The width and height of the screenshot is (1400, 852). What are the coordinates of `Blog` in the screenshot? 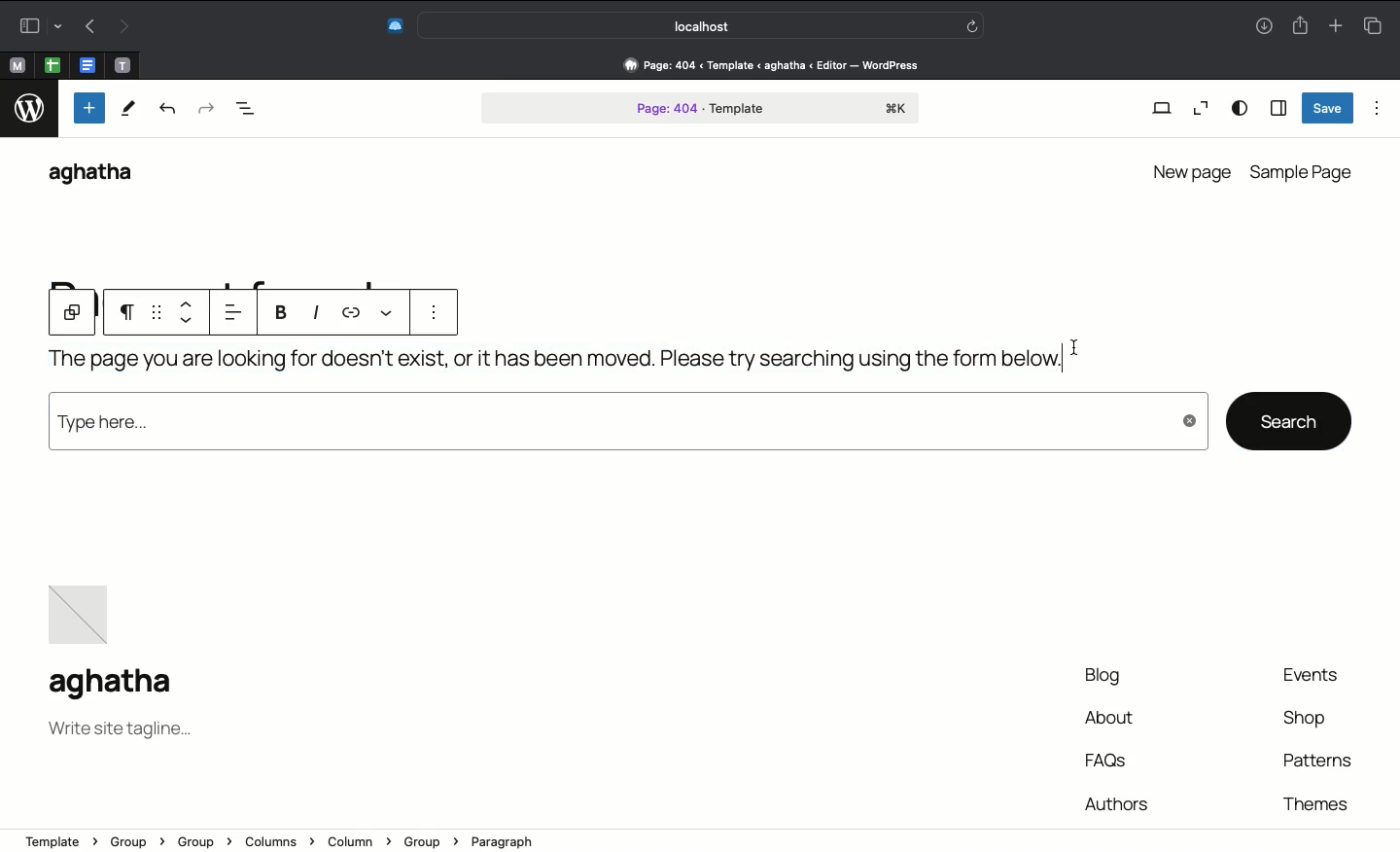 It's located at (1097, 677).